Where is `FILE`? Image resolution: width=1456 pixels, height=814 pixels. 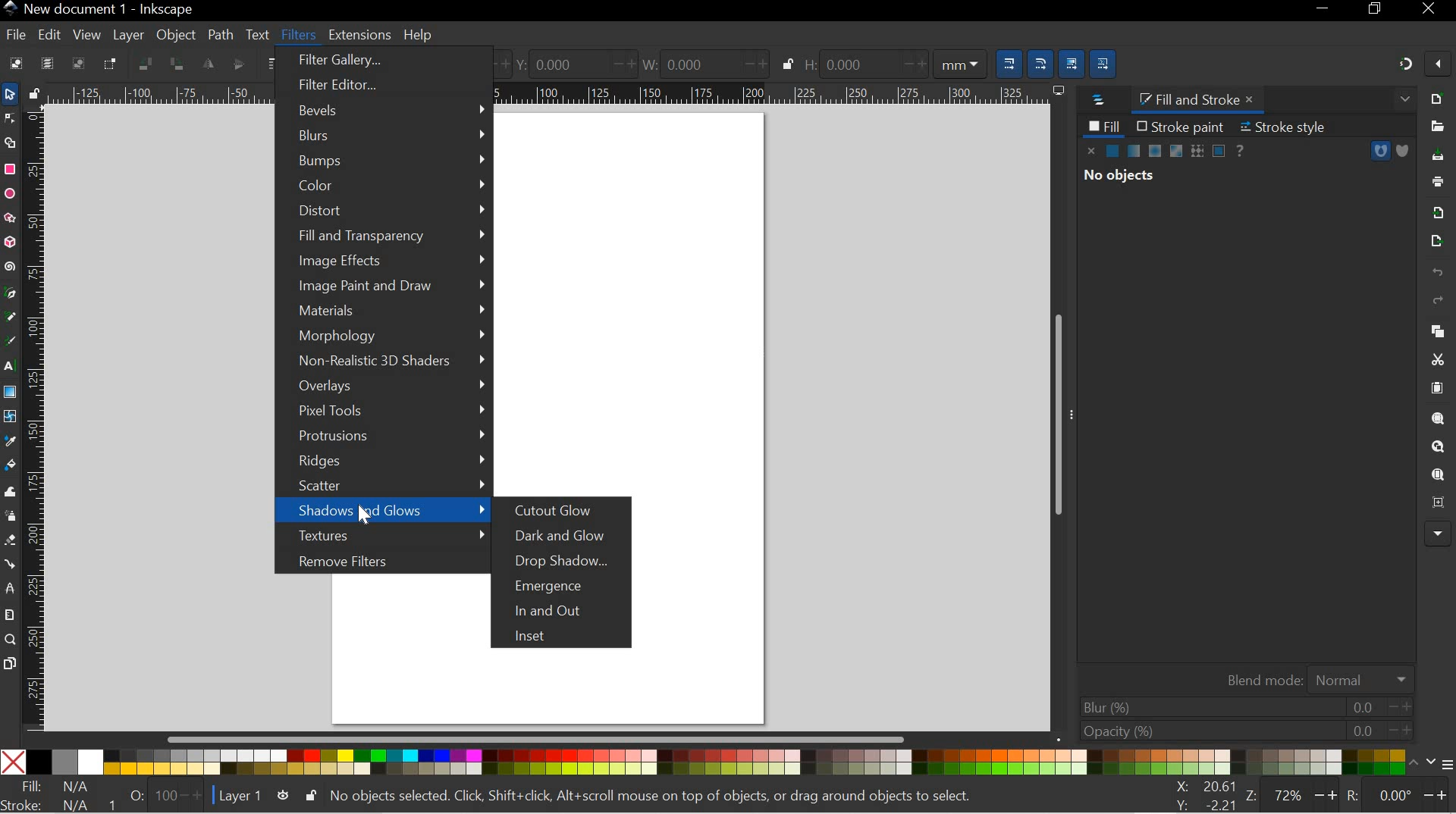 FILE is located at coordinates (13, 36).